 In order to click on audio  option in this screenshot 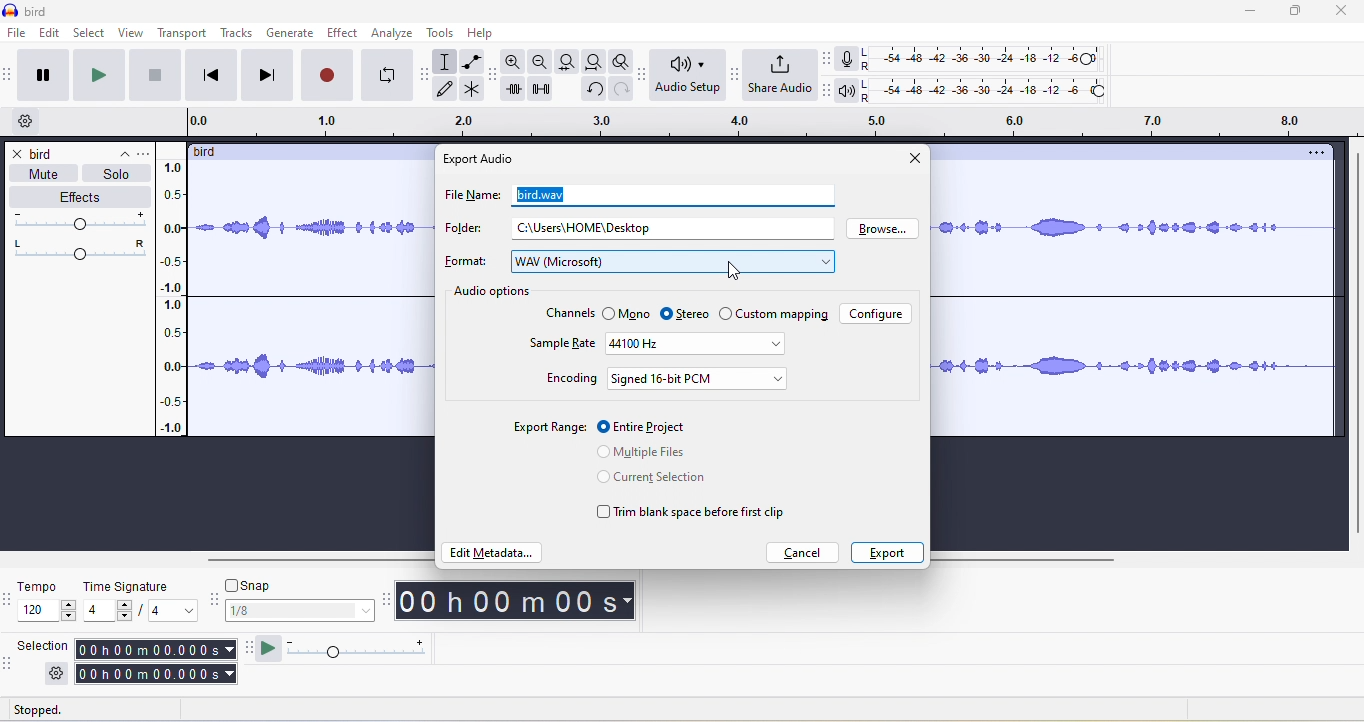, I will do `click(495, 293)`.